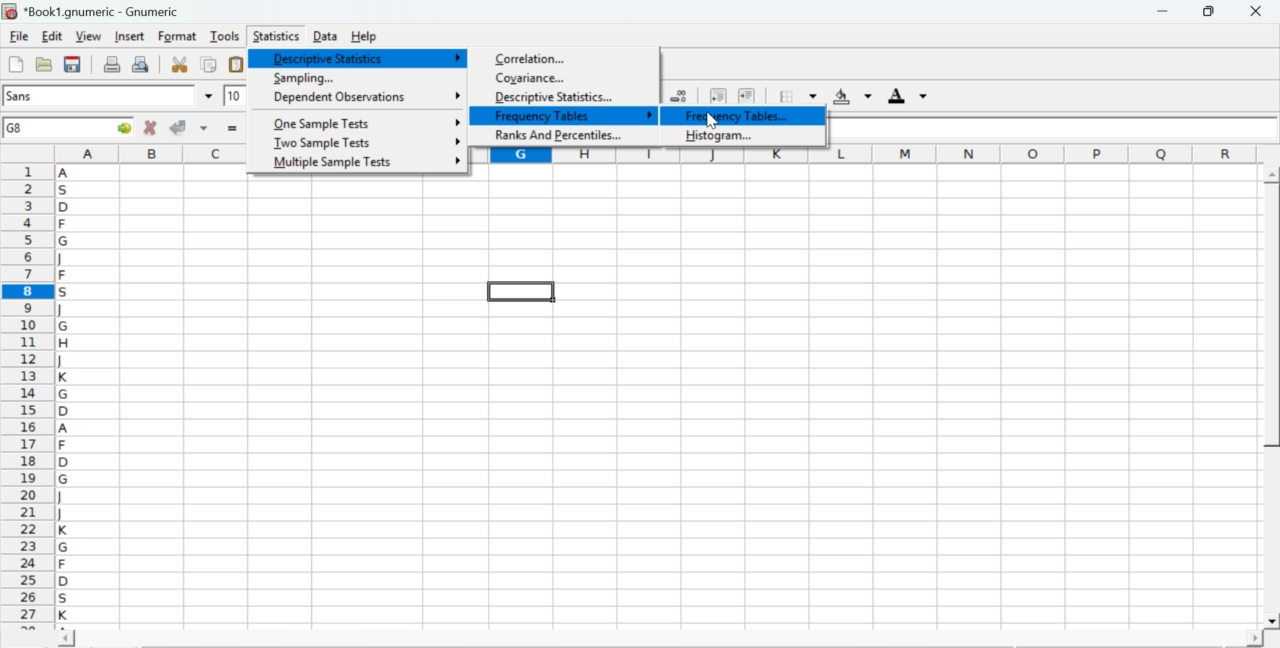 The image size is (1280, 648). What do you see at coordinates (660, 640) in the screenshot?
I see `scroll bar` at bounding box center [660, 640].